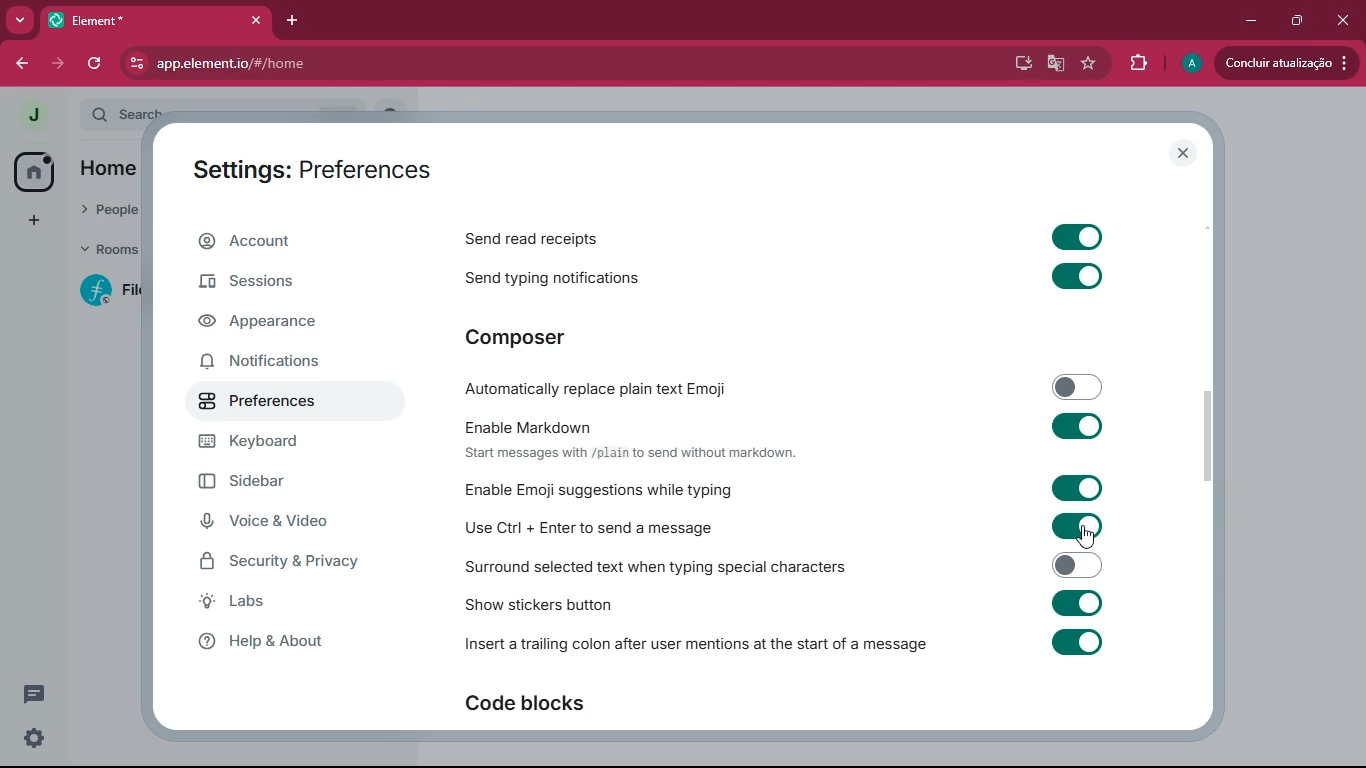  What do you see at coordinates (1070, 424) in the screenshot?
I see `toggle on or off` at bounding box center [1070, 424].